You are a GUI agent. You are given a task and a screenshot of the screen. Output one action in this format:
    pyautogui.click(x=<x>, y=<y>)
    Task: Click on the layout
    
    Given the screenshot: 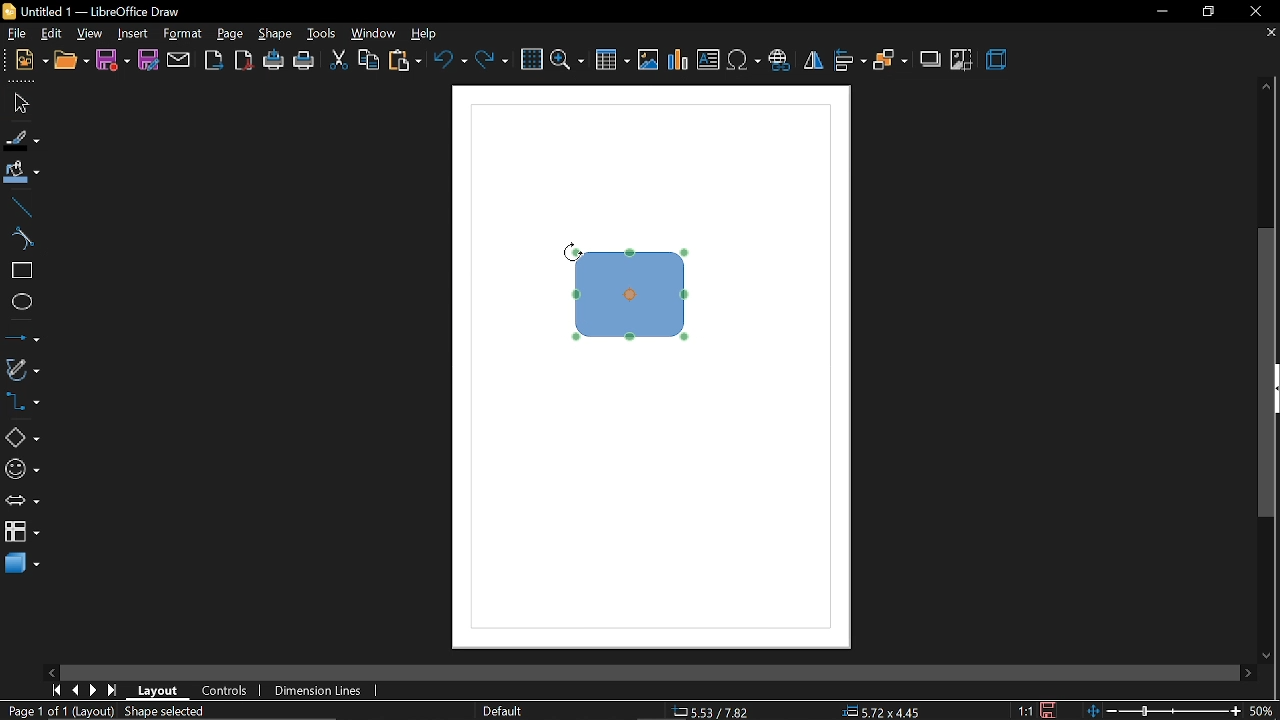 What is the action you would take?
    pyautogui.click(x=159, y=690)
    